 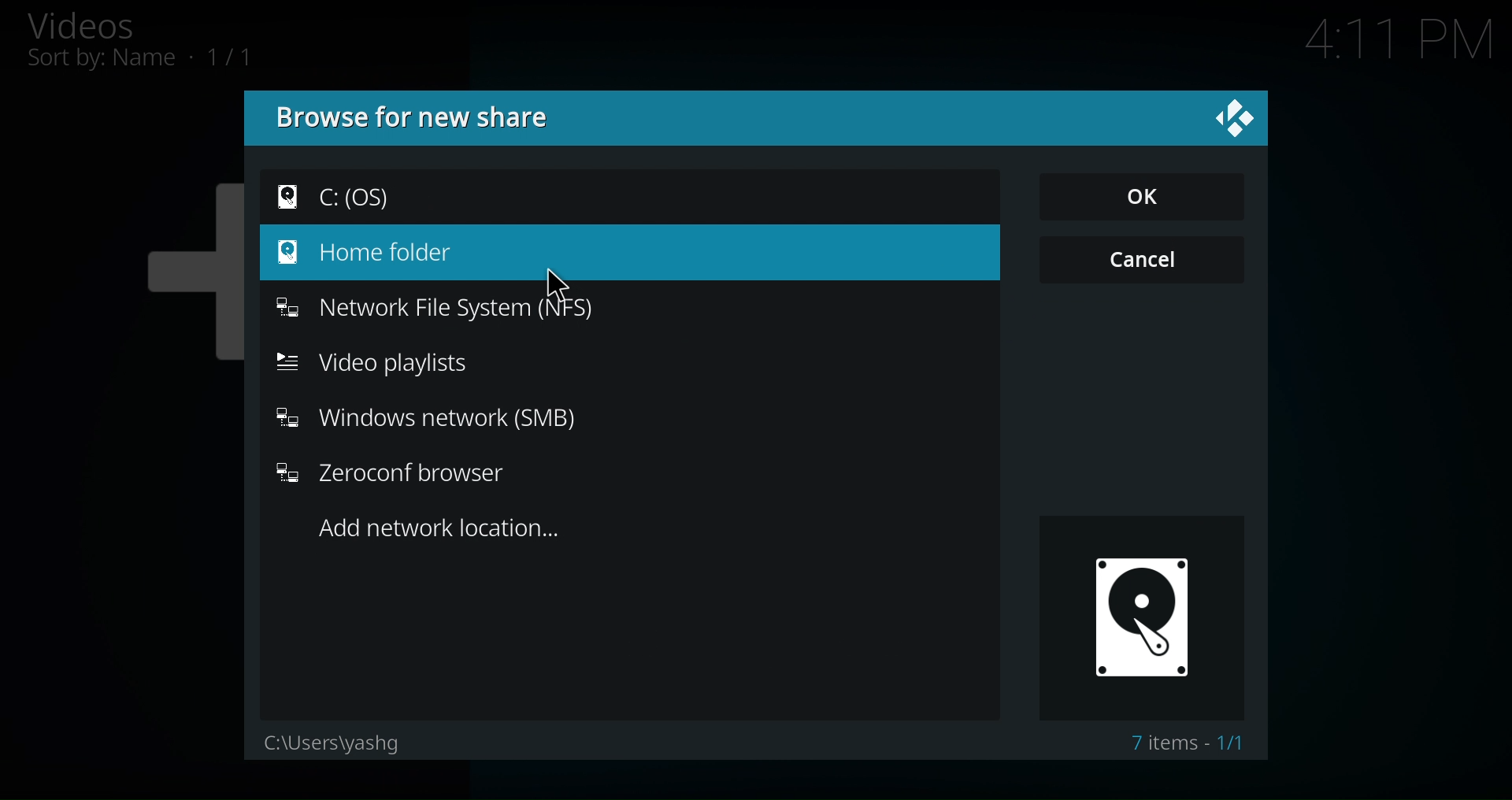 I want to click on C:\Users\yasing, so click(x=329, y=740).